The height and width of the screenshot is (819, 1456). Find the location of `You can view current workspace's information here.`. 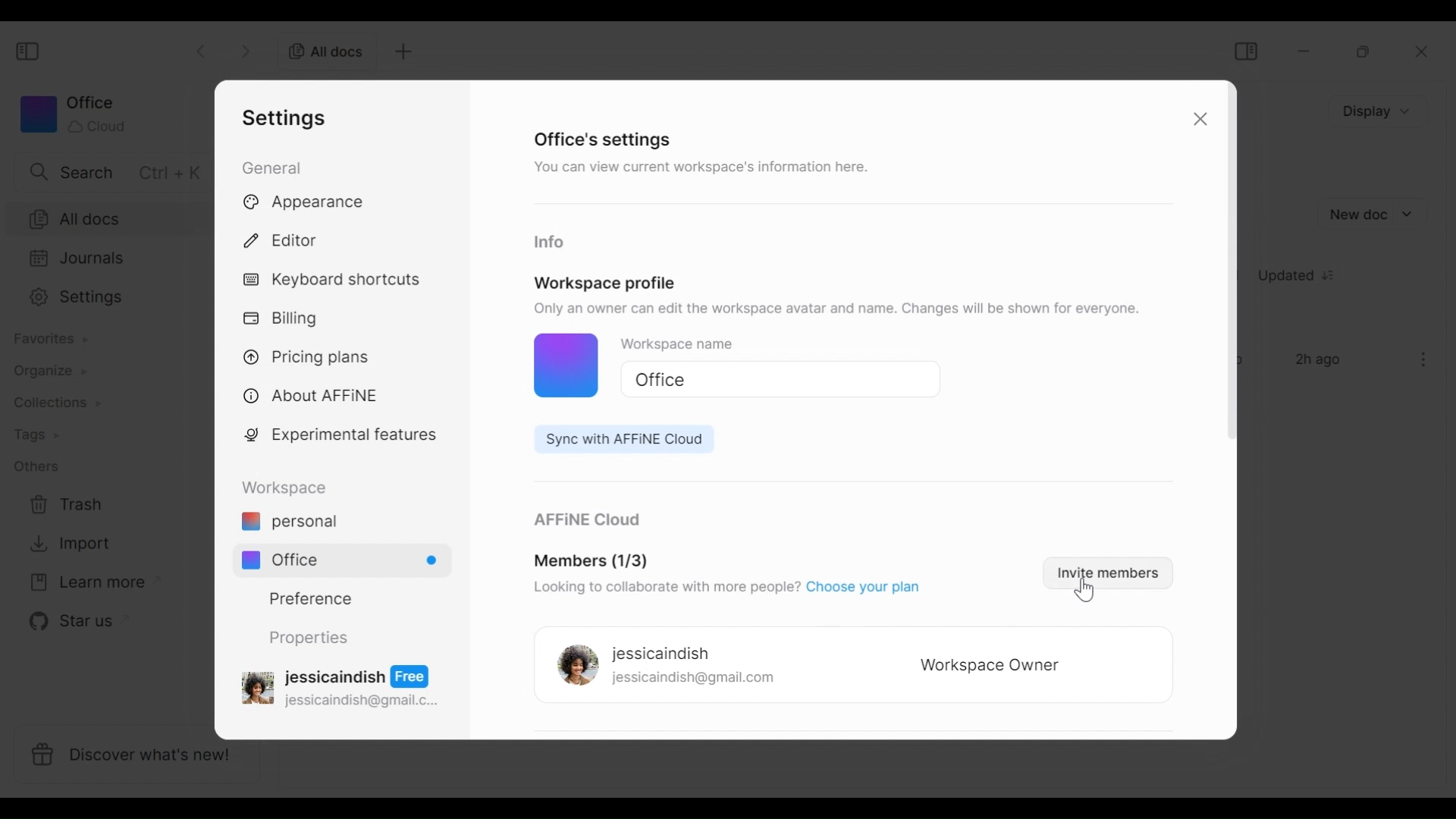

You can view current workspace's information here. is located at coordinates (698, 170).